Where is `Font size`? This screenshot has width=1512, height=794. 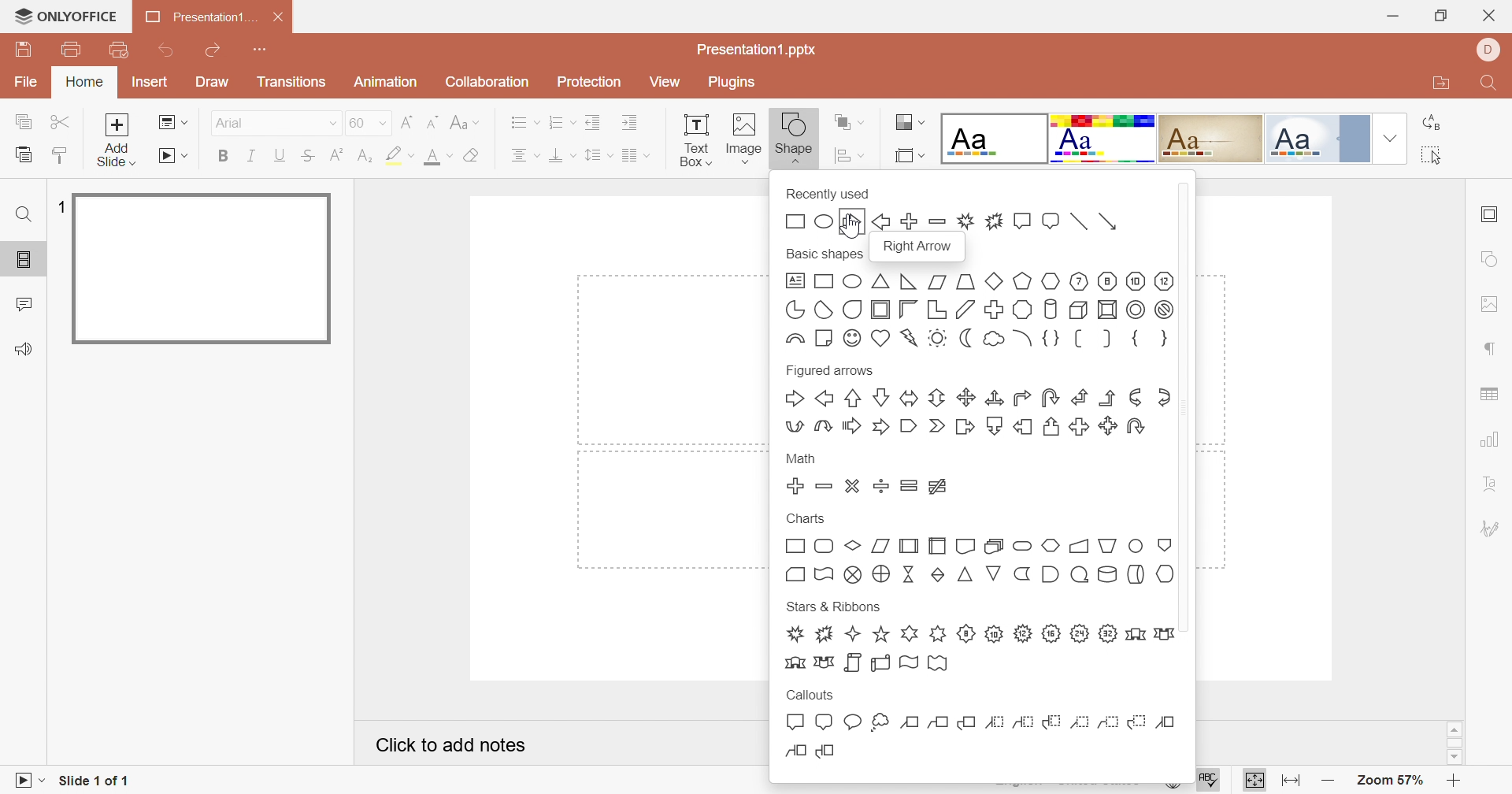 Font size is located at coordinates (369, 123).